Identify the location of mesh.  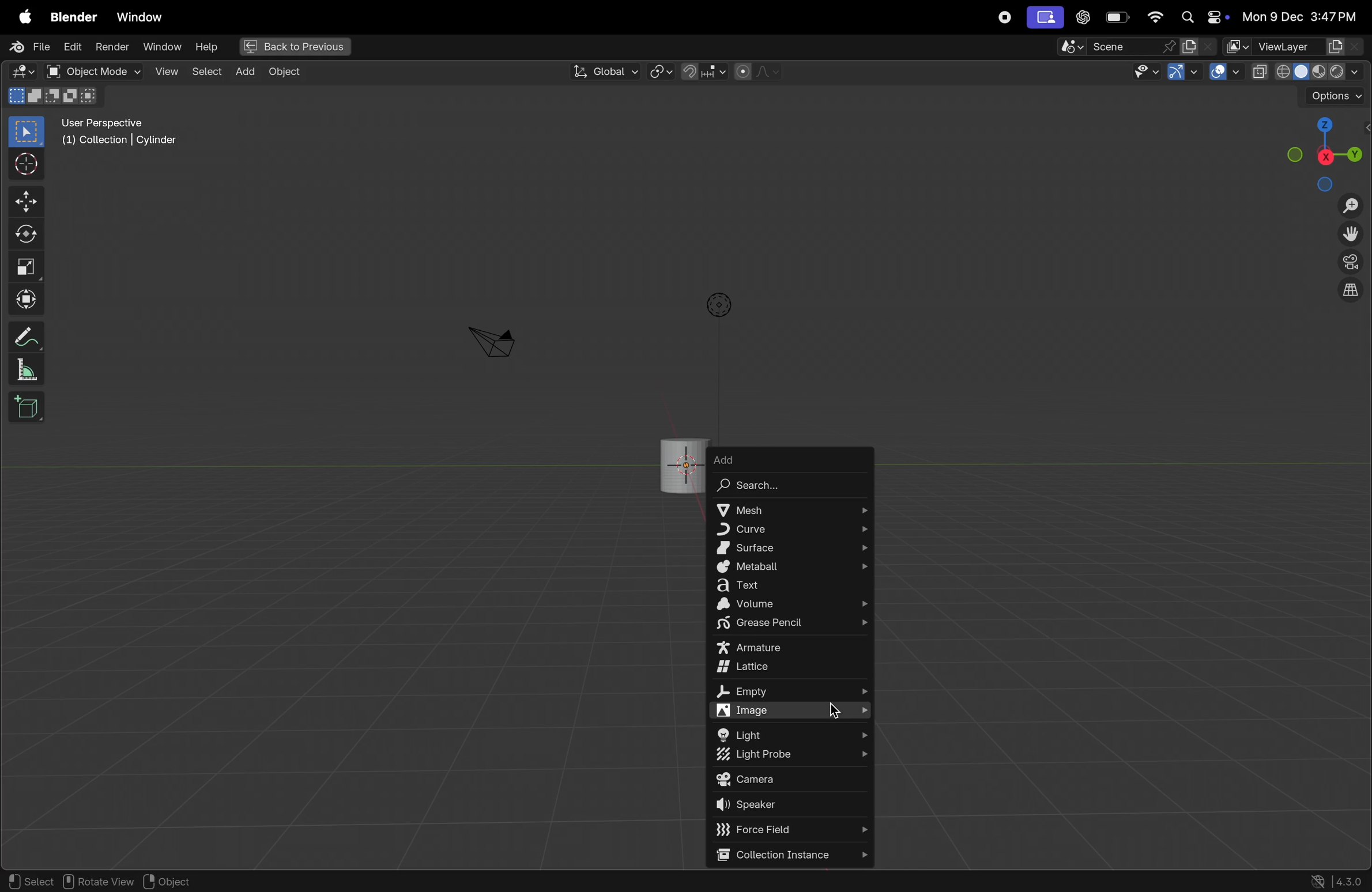
(791, 508).